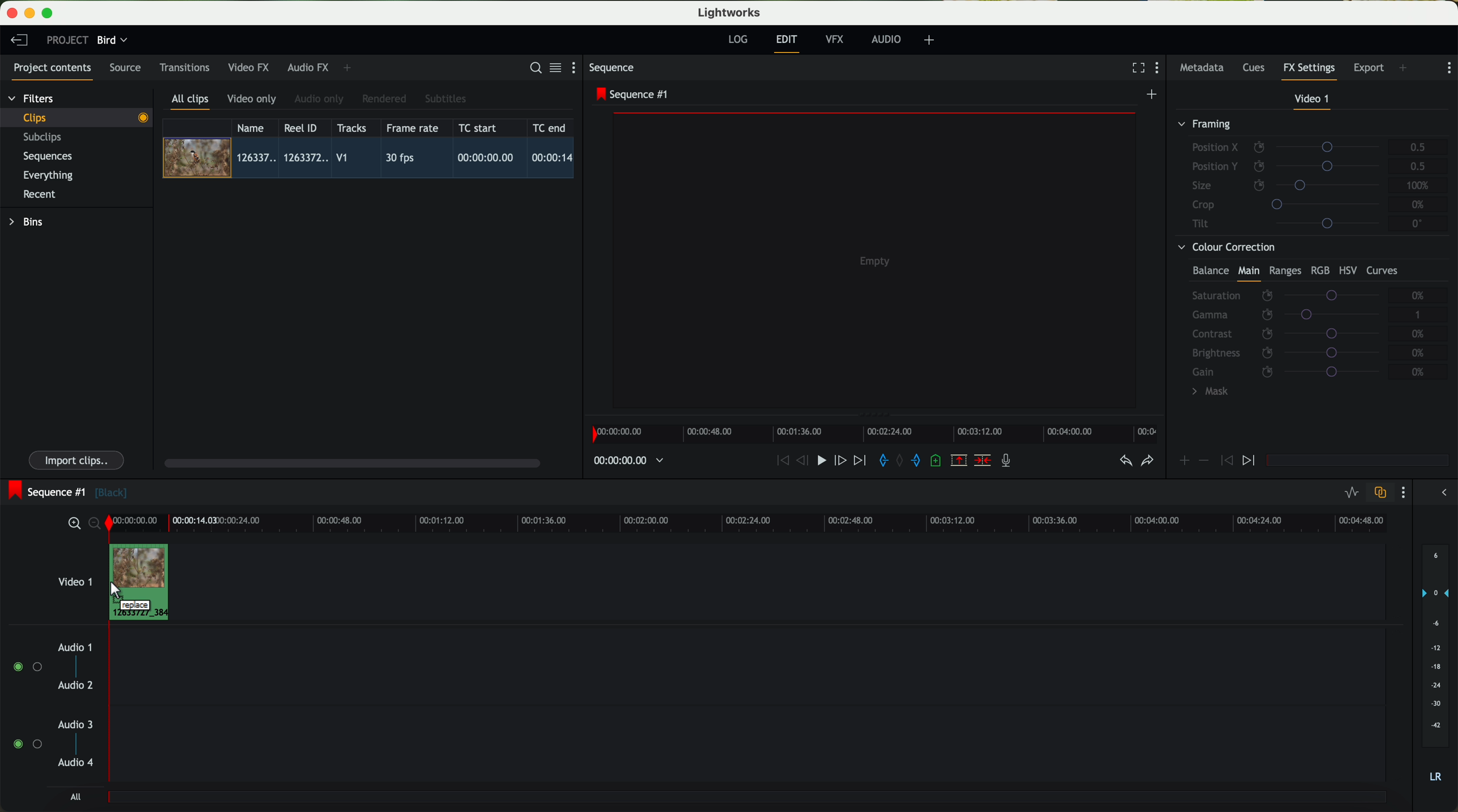  I want to click on move foward, so click(859, 461).